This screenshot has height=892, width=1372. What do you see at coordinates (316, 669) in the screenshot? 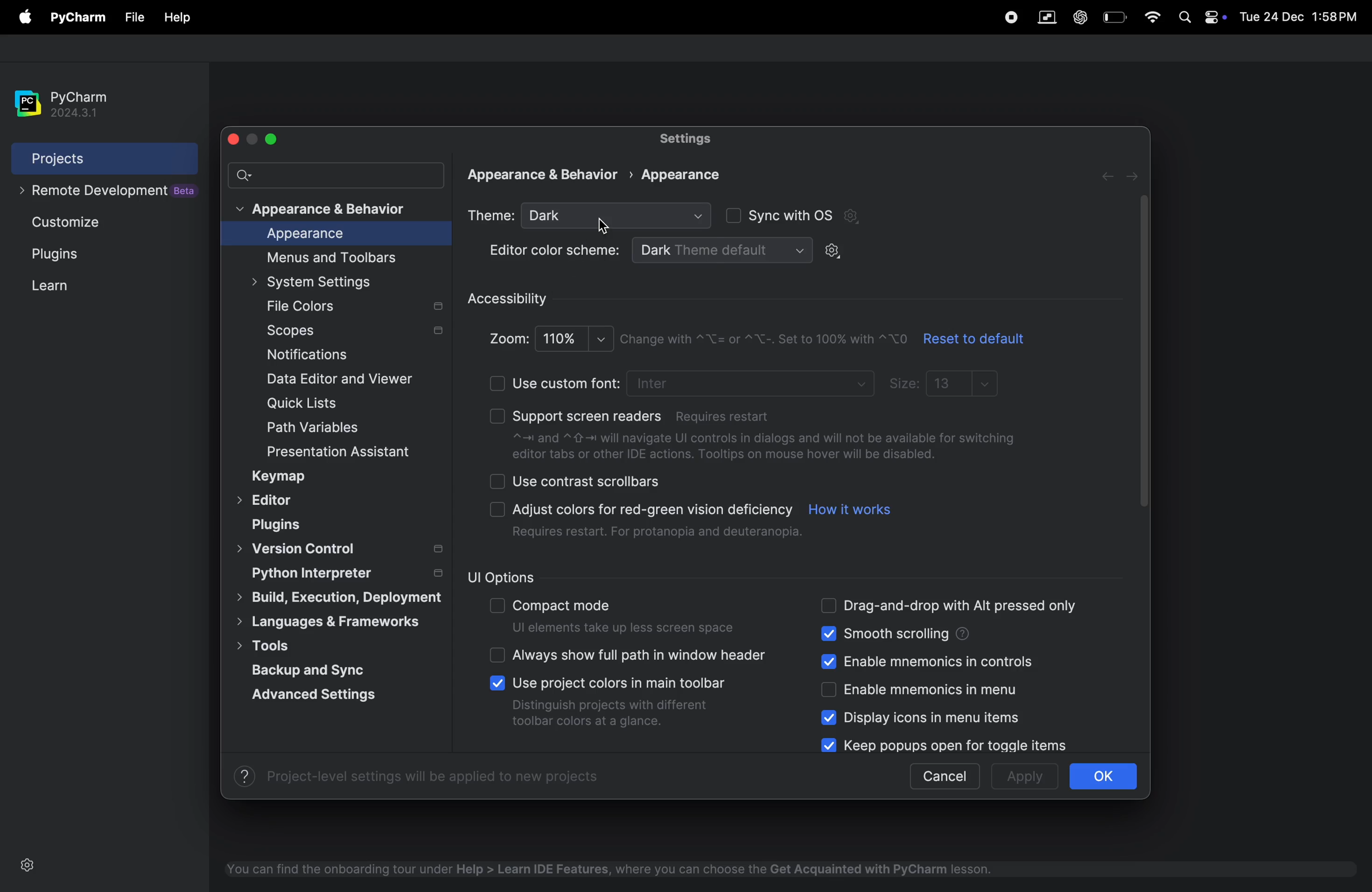
I see `back and sync` at bounding box center [316, 669].